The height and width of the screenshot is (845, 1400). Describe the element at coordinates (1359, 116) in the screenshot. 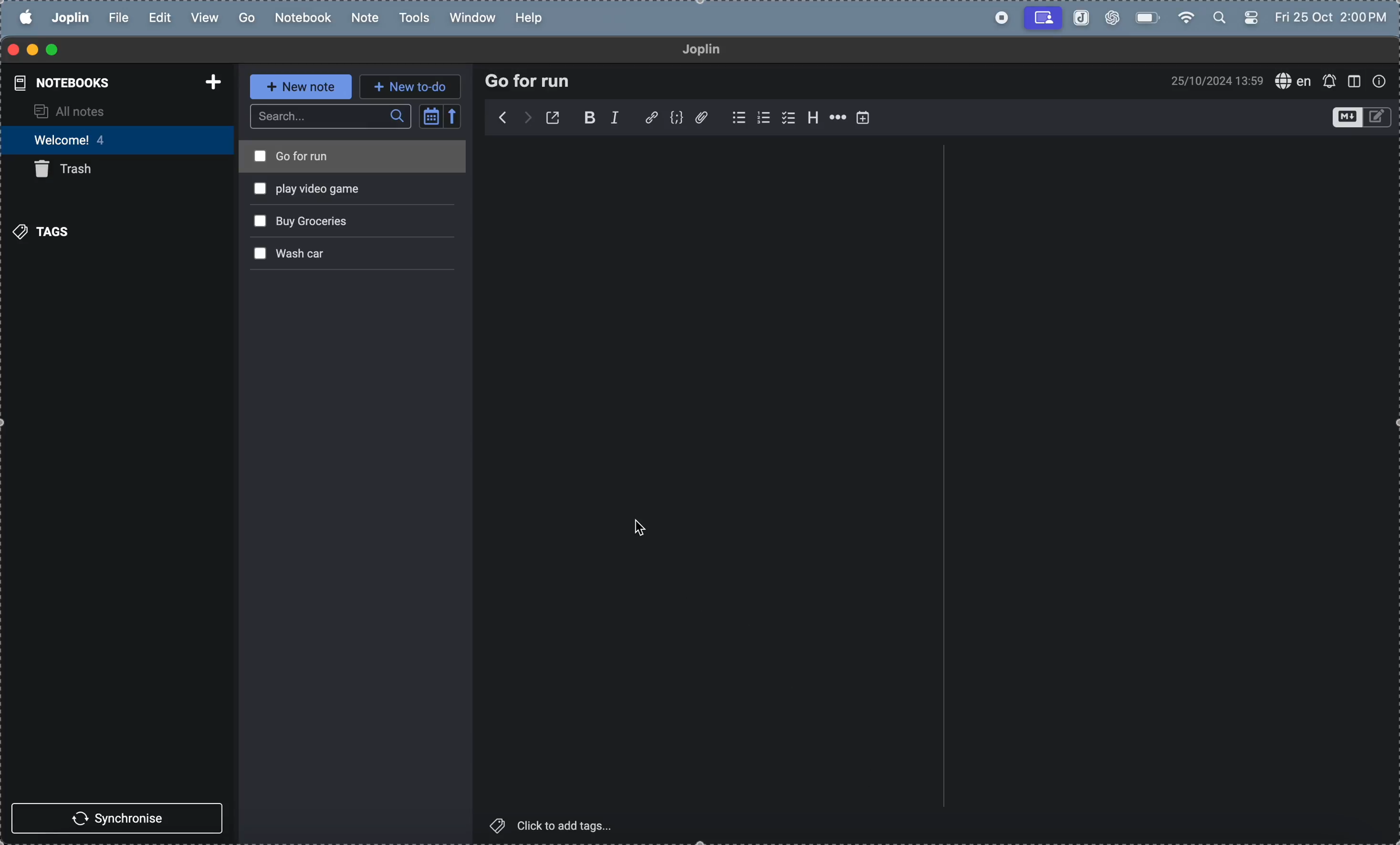

I see `toggle editors` at that location.